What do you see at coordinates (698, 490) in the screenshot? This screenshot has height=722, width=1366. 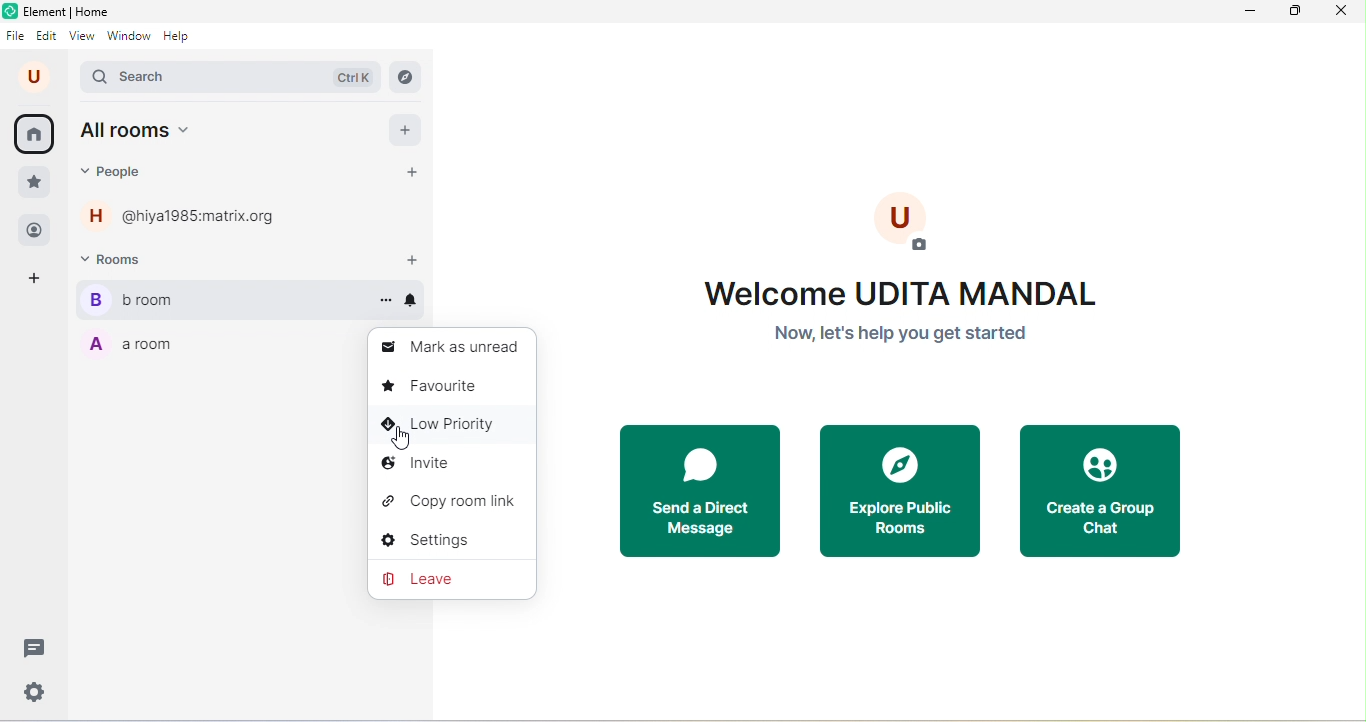 I see `send a direct message` at bounding box center [698, 490].